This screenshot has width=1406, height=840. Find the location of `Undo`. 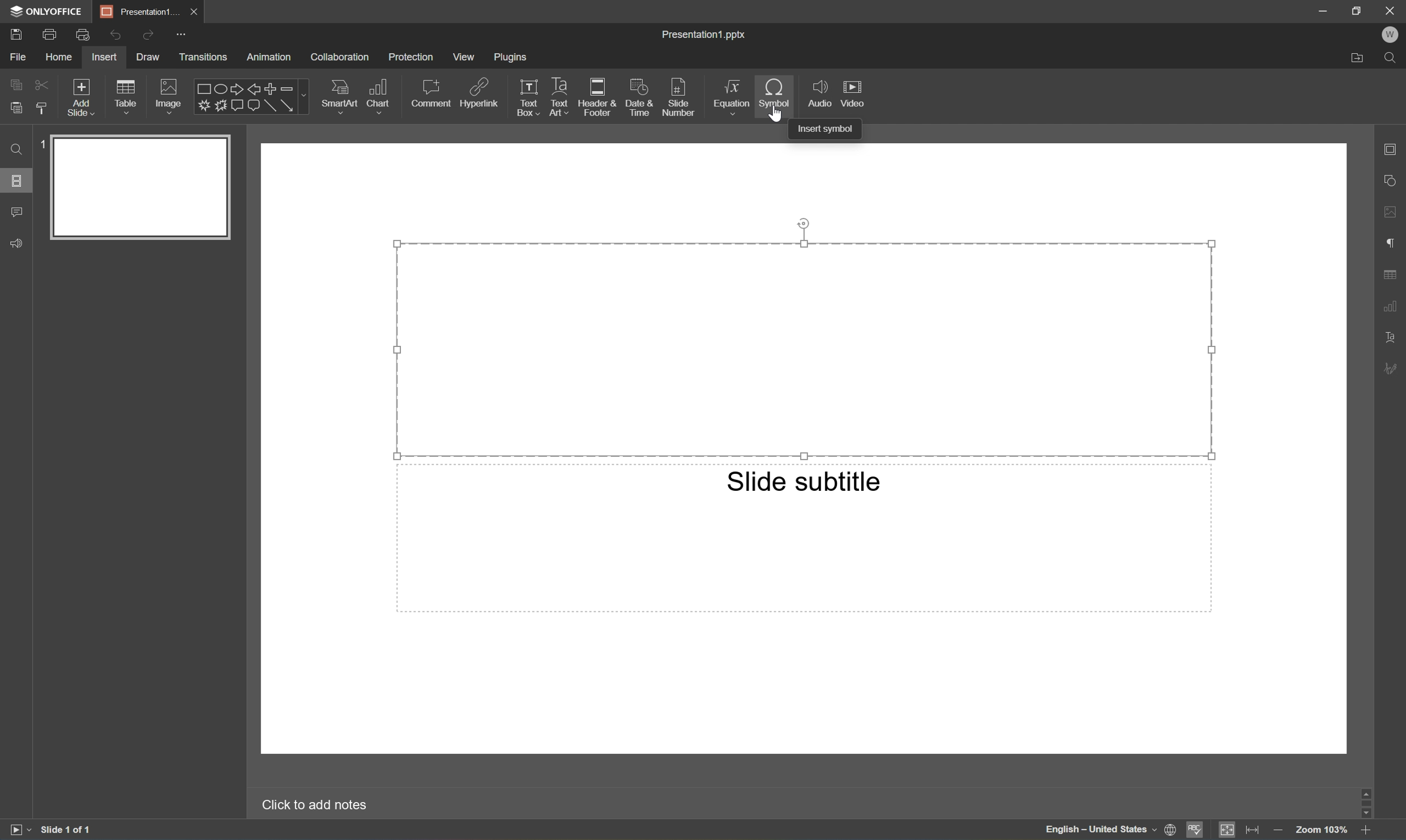

Undo is located at coordinates (112, 36).